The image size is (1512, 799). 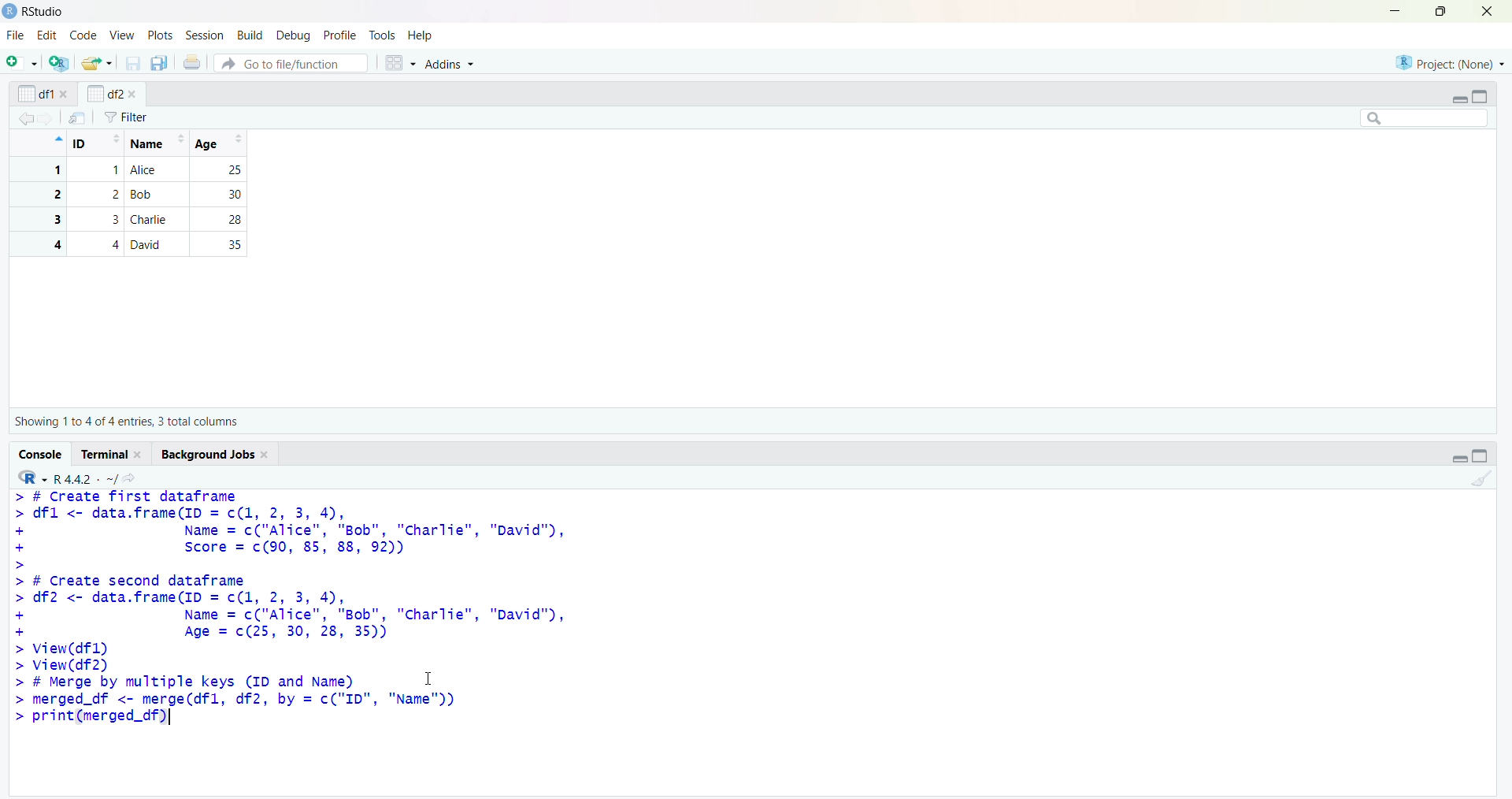 What do you see at coordinates (32, 478) in the screenshot?
I see `R` at bounding box center [32, 478].